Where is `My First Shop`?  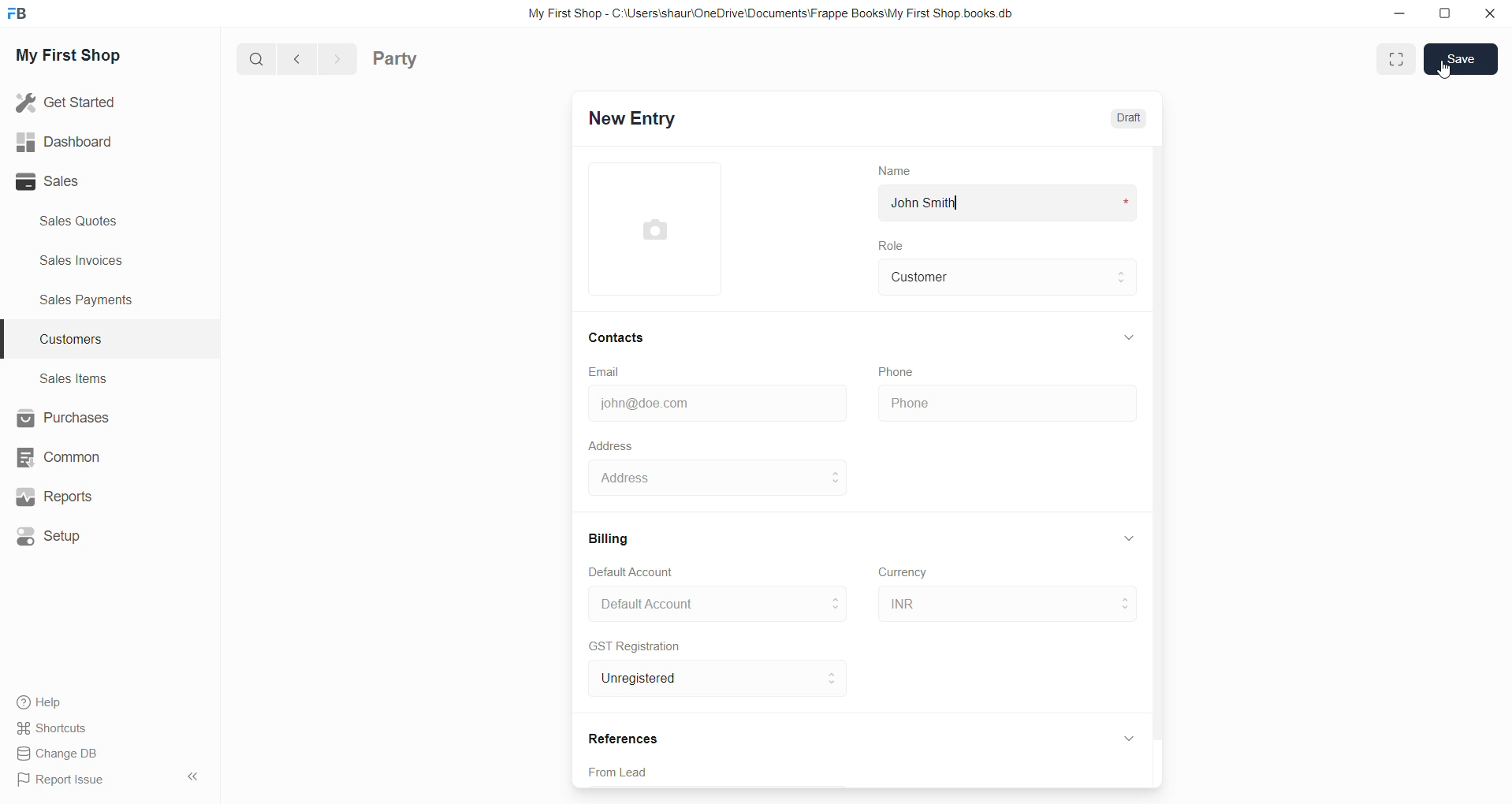
My First Shop is located at coordinates (87, 60).